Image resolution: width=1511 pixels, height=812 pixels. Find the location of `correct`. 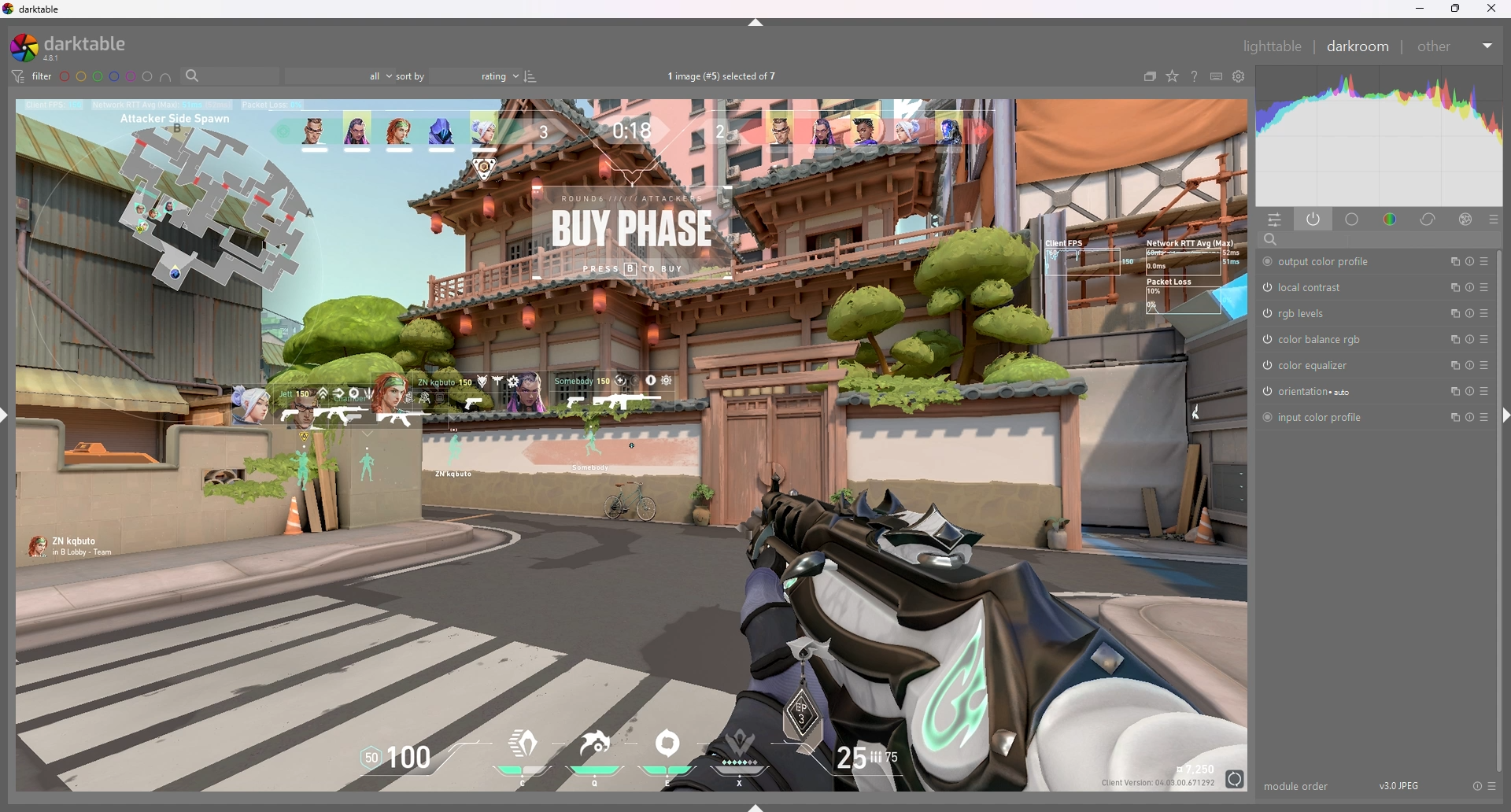

correct is located at coordinates (1429, 219).